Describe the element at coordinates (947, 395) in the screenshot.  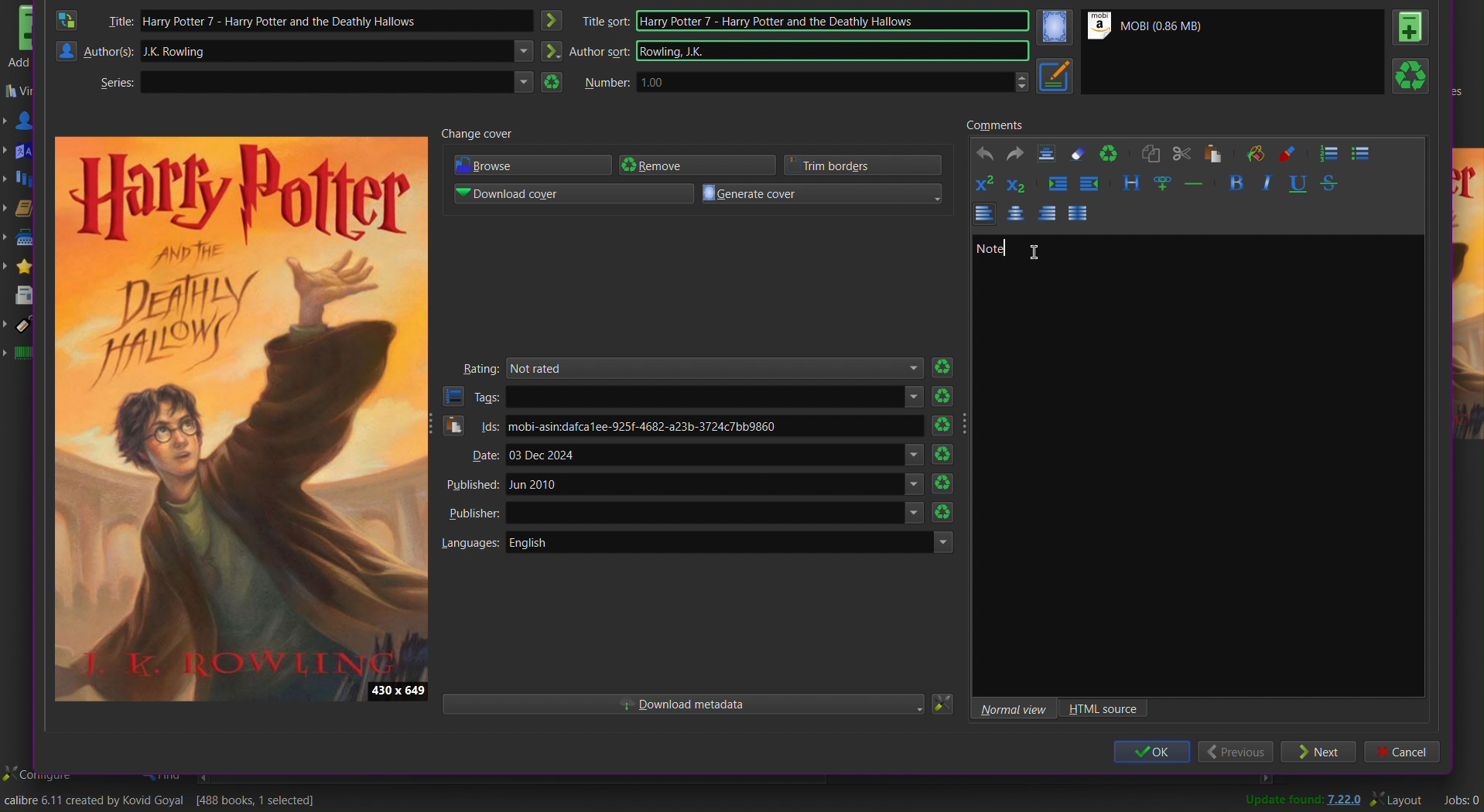
I see `Refresh` at that location.